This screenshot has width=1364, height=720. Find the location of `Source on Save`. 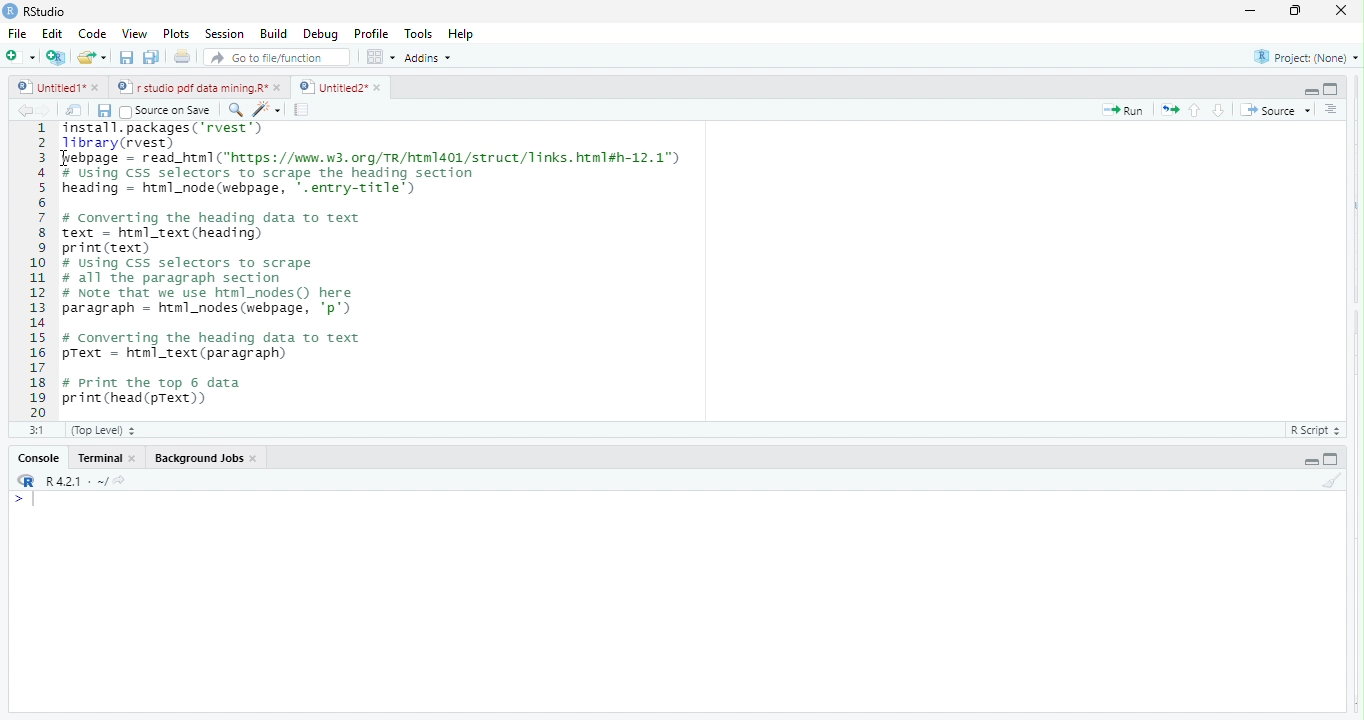

Source on Save is located at coordinates (168, 111).